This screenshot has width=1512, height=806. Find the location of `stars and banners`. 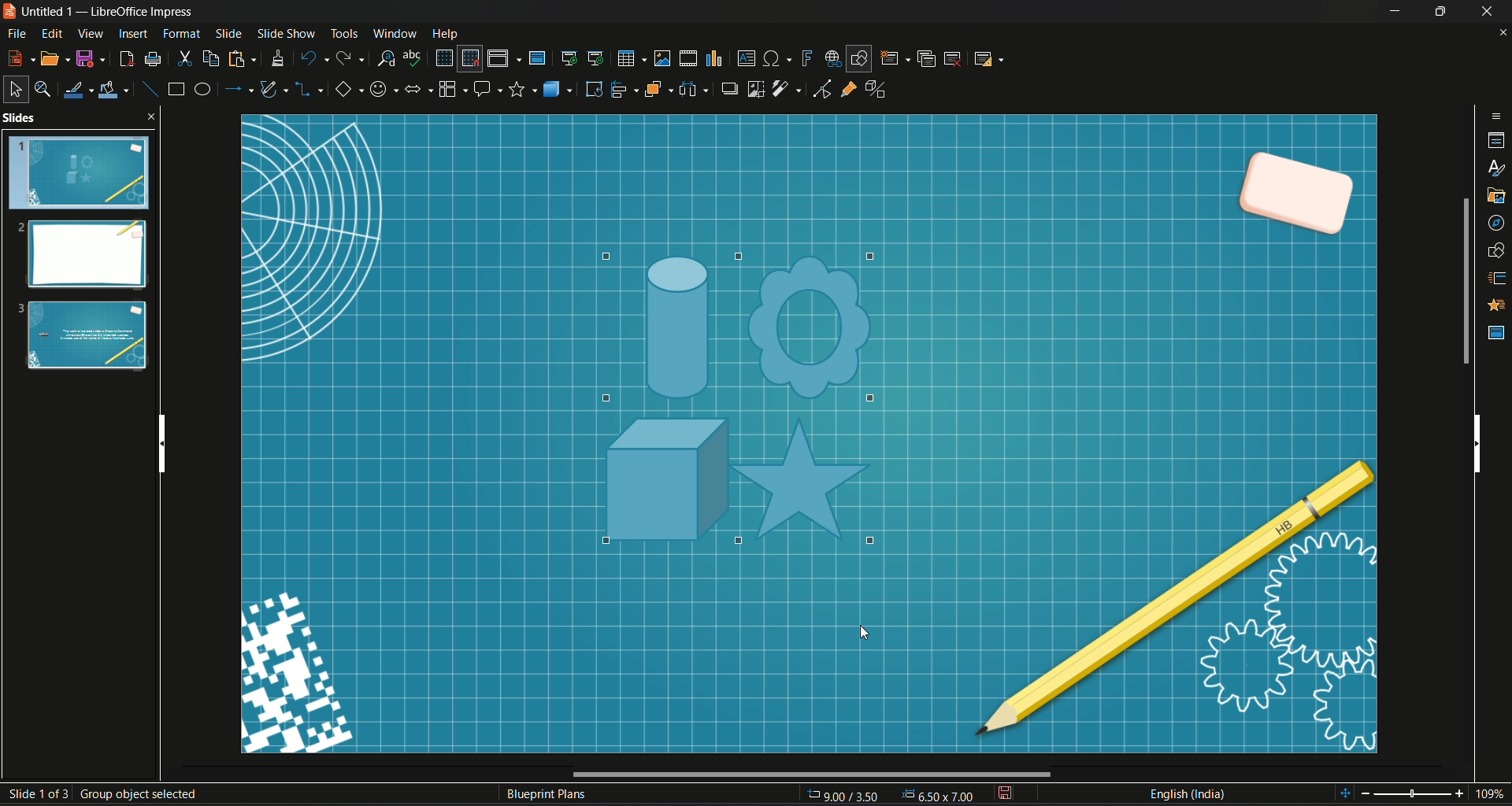

stars and banners is located at coordinates (522, 90).